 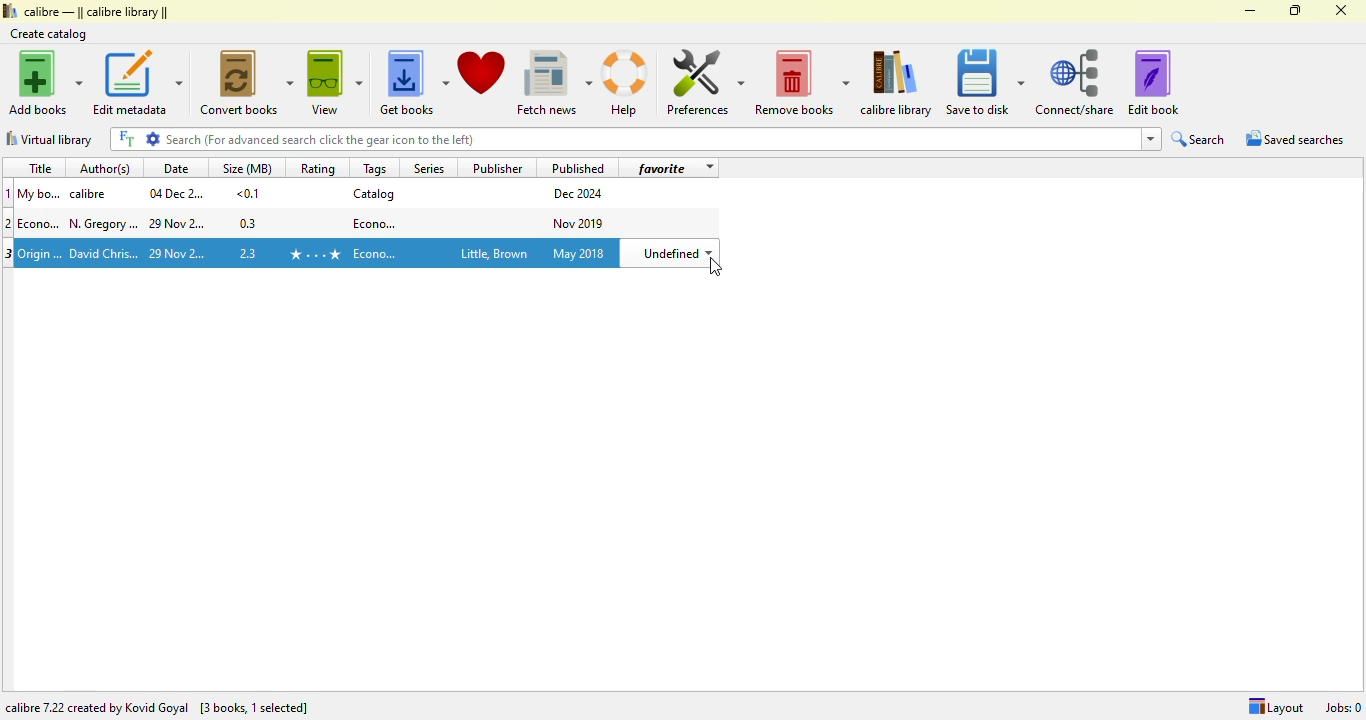 What do you see at coordinates (92, 194) in the screenshot?
I see `author` at bounding box center [92, 194].